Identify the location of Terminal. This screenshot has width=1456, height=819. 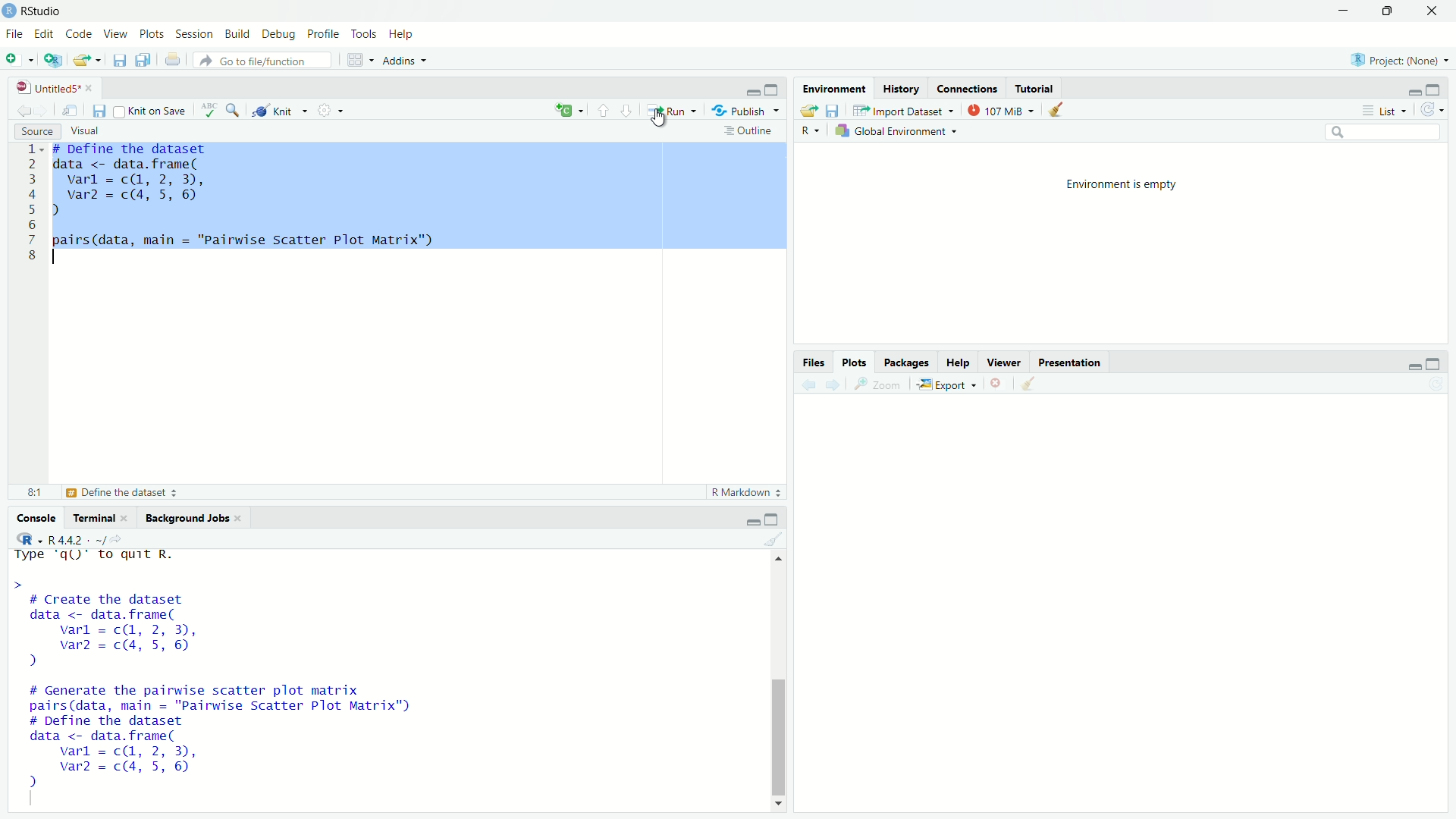
(99, 516).